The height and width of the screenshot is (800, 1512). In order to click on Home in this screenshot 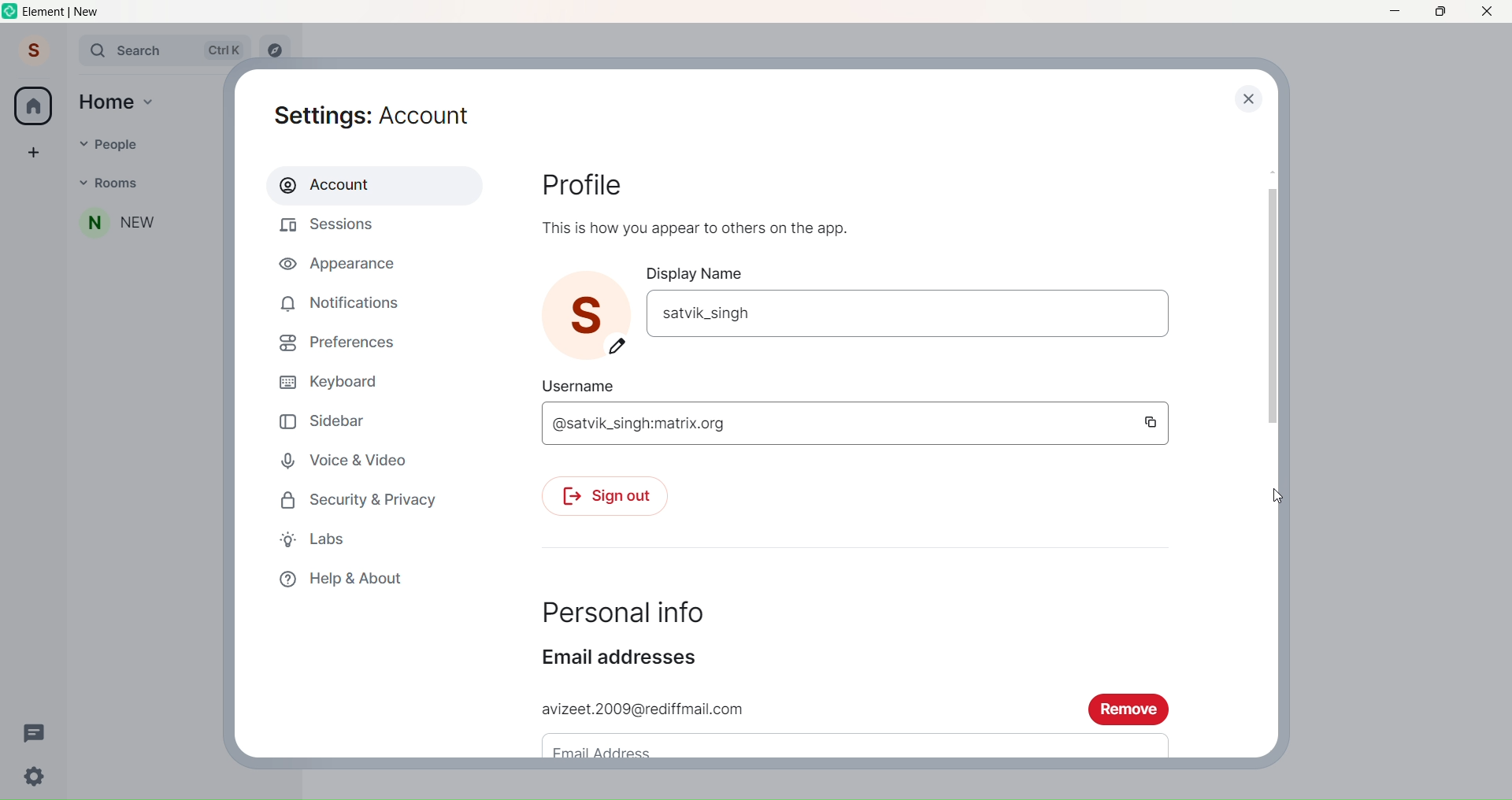, I will do `click(33, 106)`.